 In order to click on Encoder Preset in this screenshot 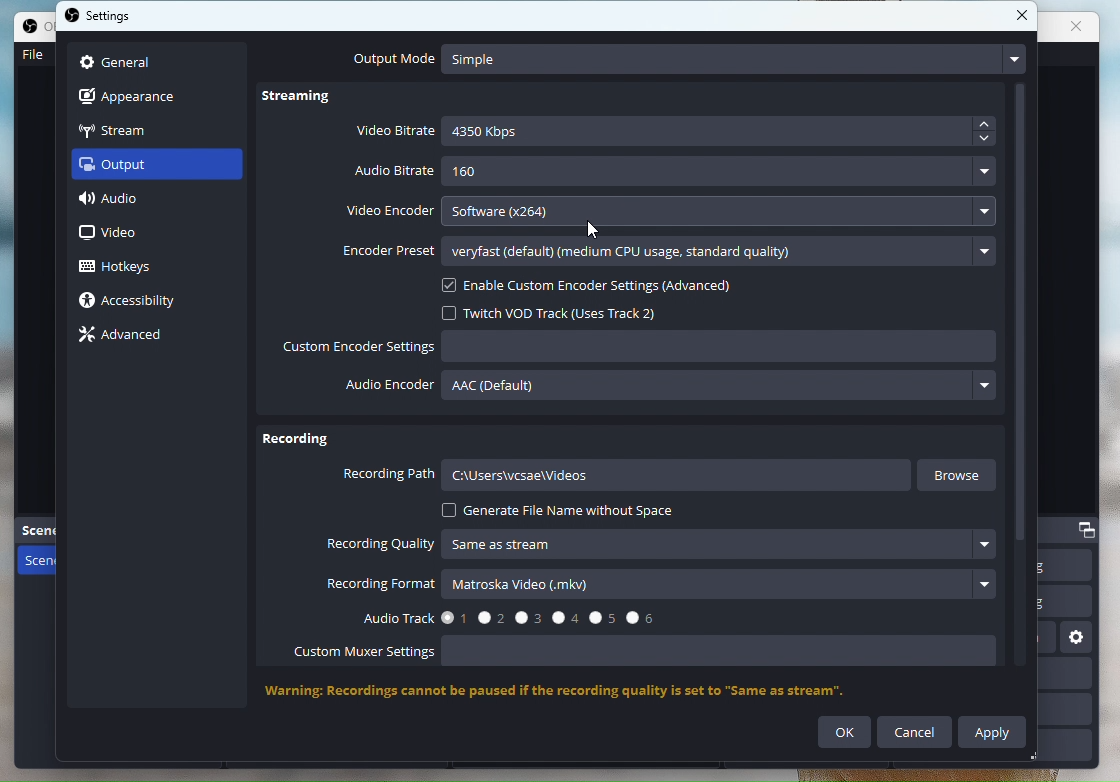, I will do `click(670, 253)`.